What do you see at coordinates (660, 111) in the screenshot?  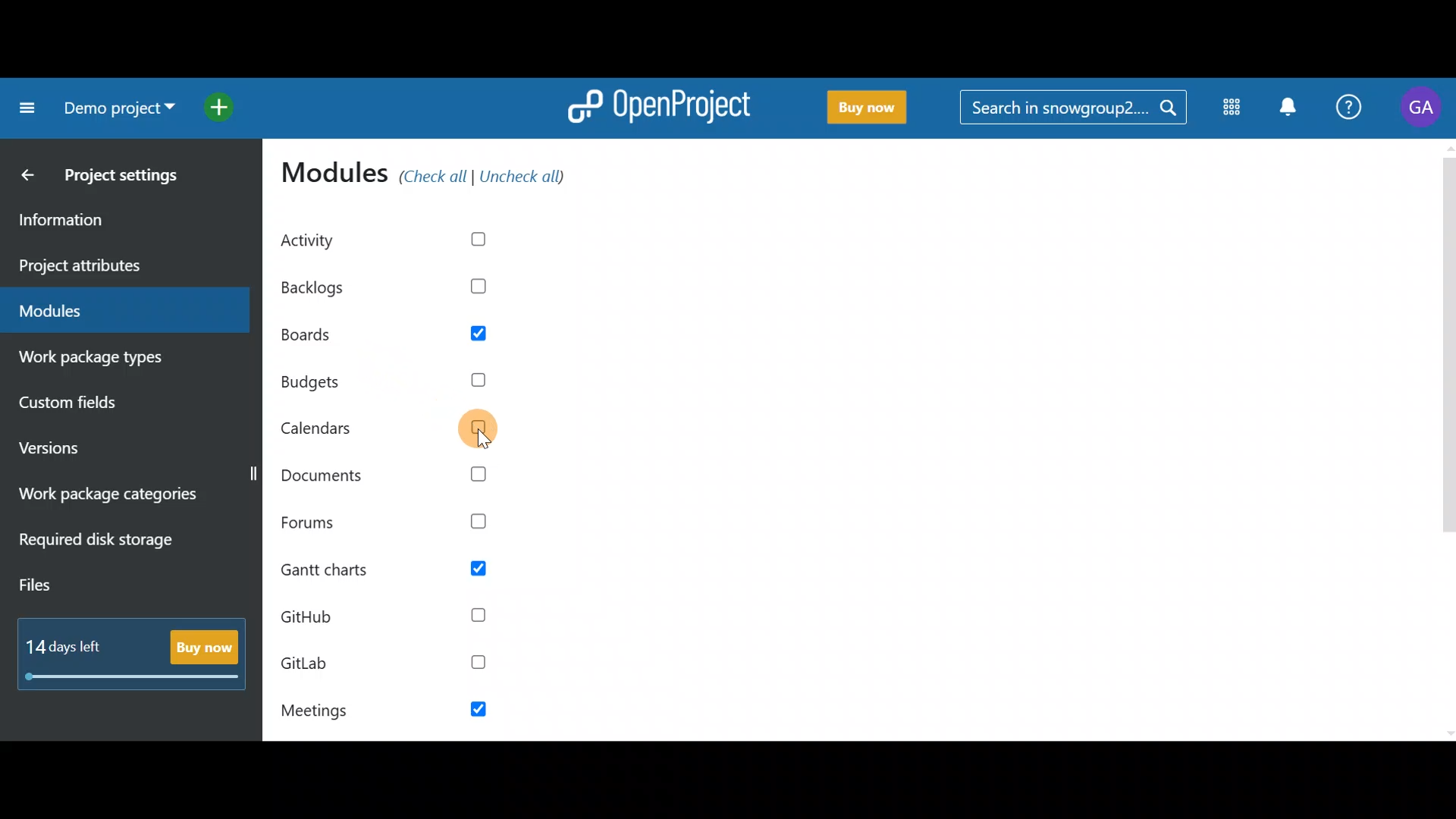 I see `OpenProject` at bounding box center [660, 111].